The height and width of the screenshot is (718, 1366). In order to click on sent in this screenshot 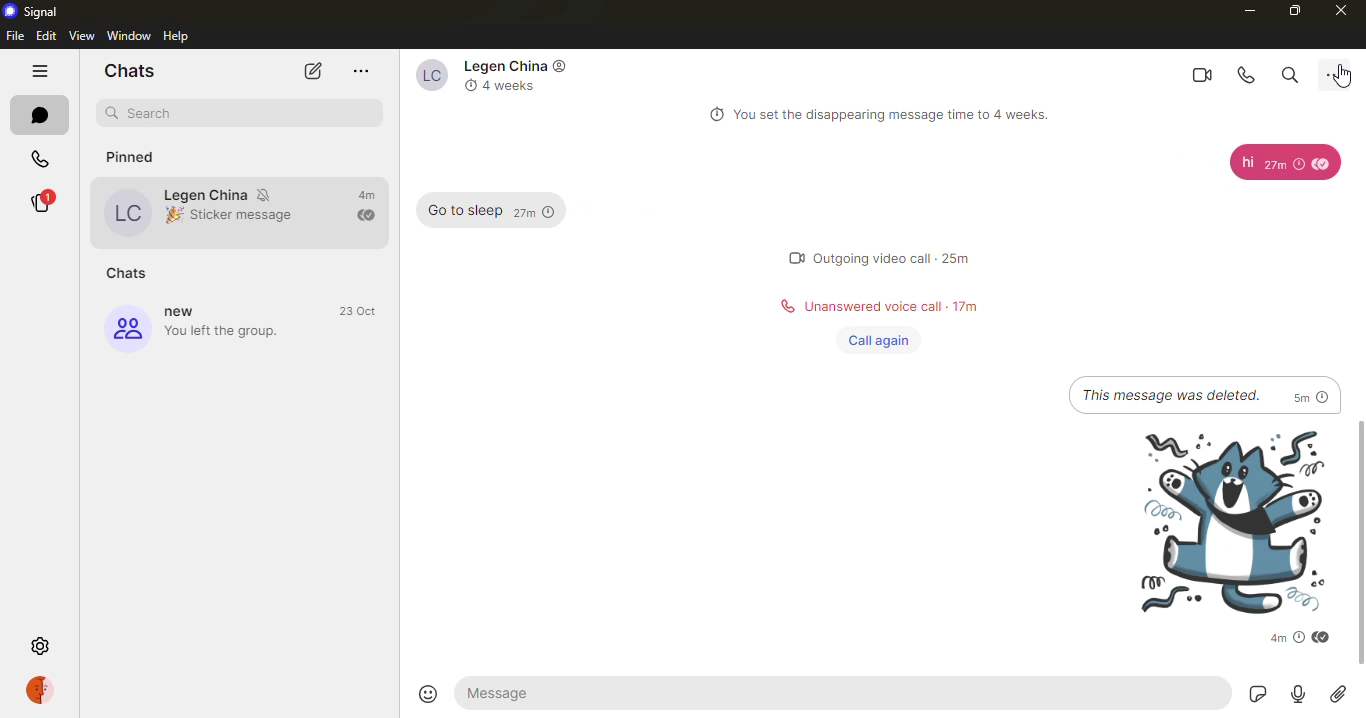, I will do `click(365, 215)`.